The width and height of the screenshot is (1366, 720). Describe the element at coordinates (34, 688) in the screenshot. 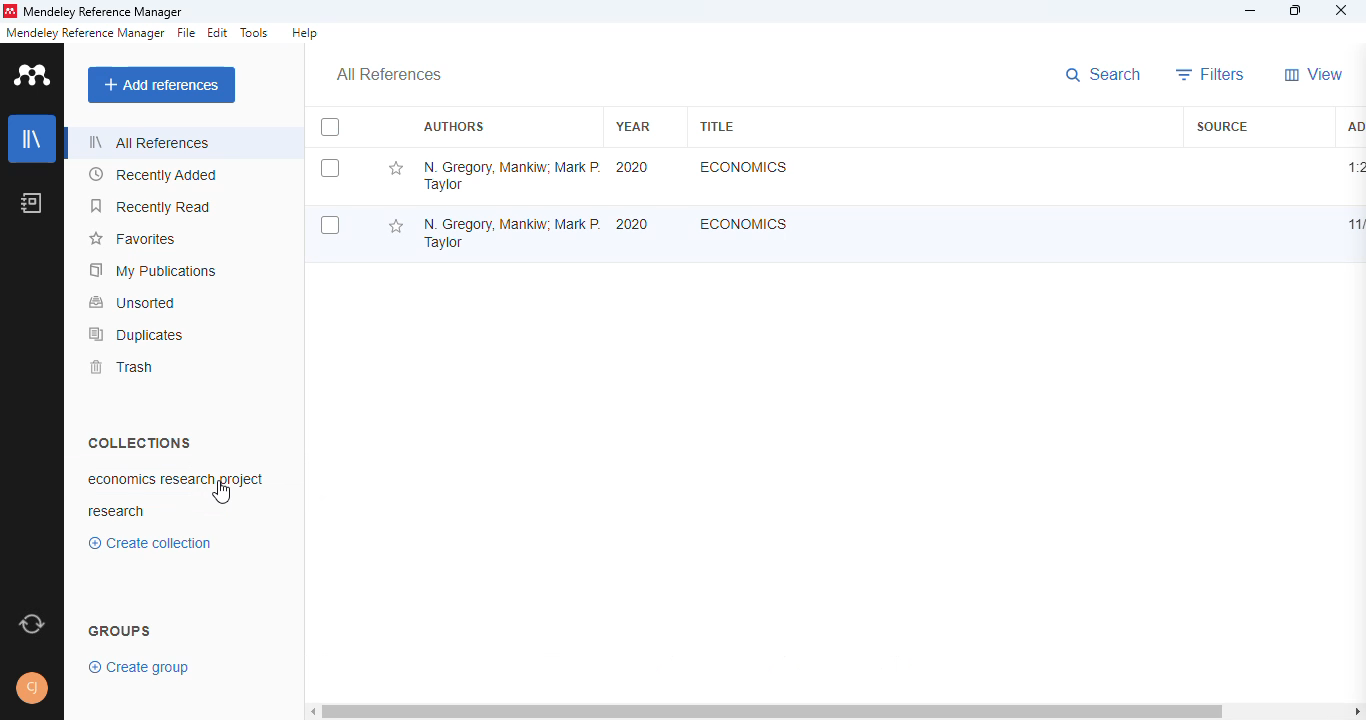

I see `profile` at that location.